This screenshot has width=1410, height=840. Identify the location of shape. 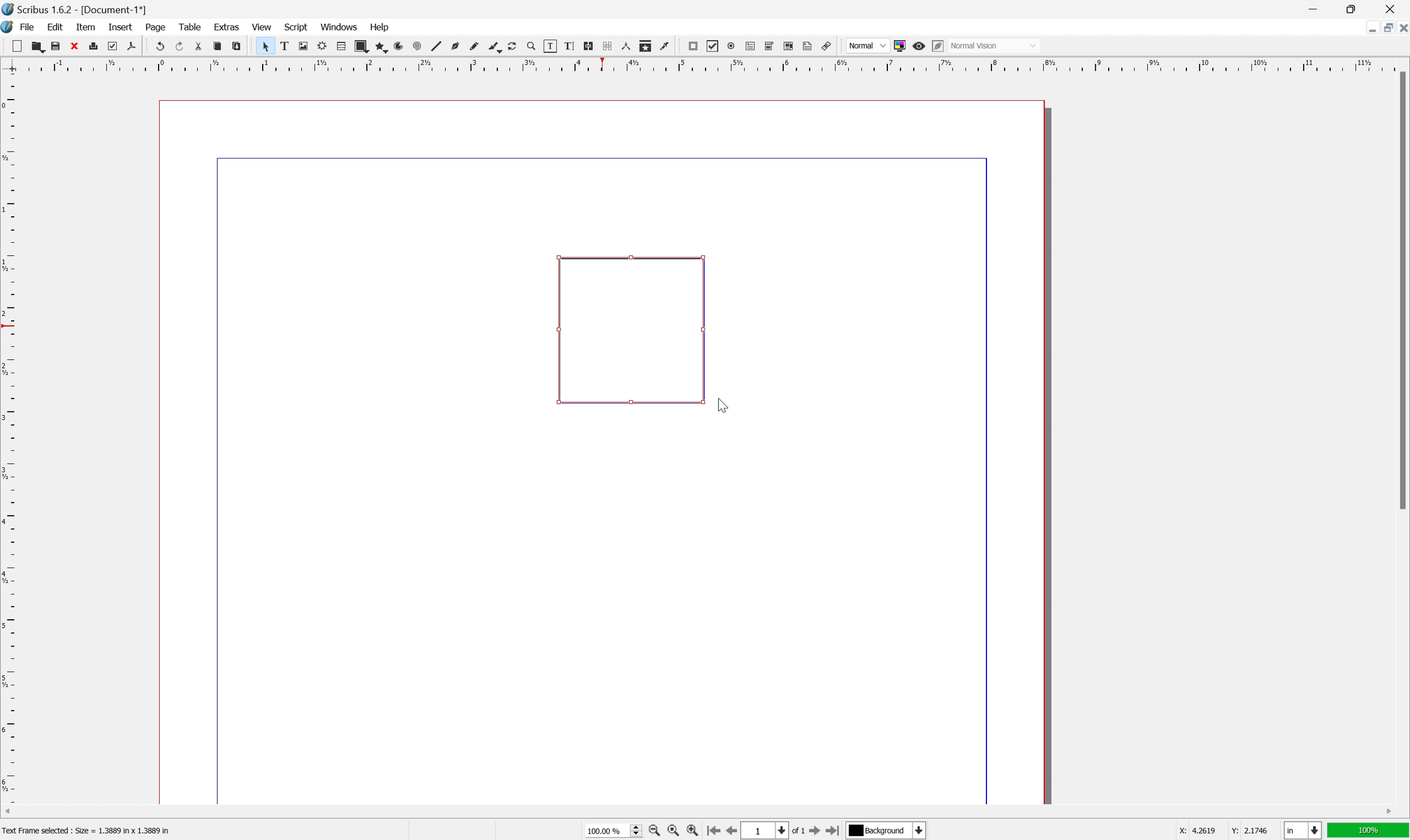
(361, 46).